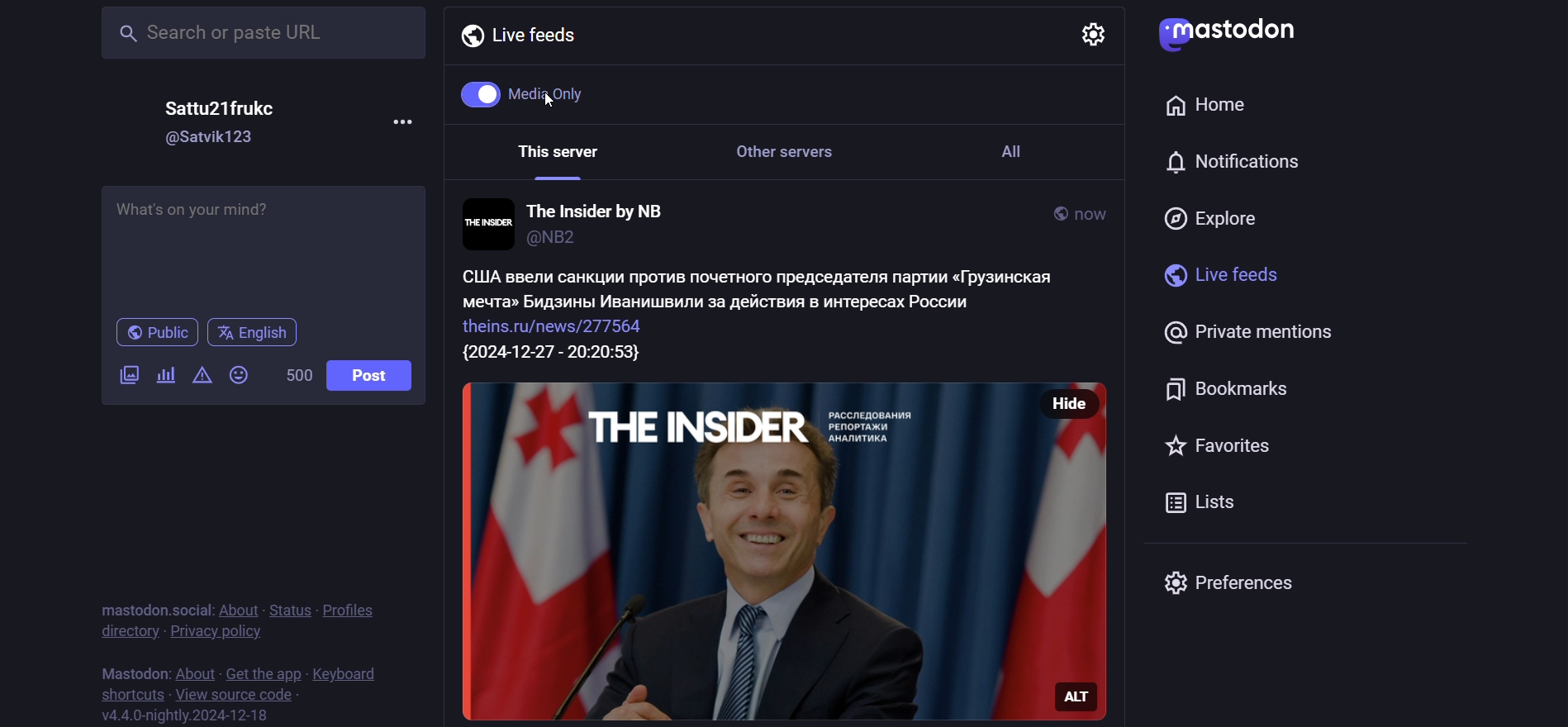 This screenshot has width=1568, height=727. Describe the element at coordinates (239, 611) in the screenshot. I see `about` at that location.